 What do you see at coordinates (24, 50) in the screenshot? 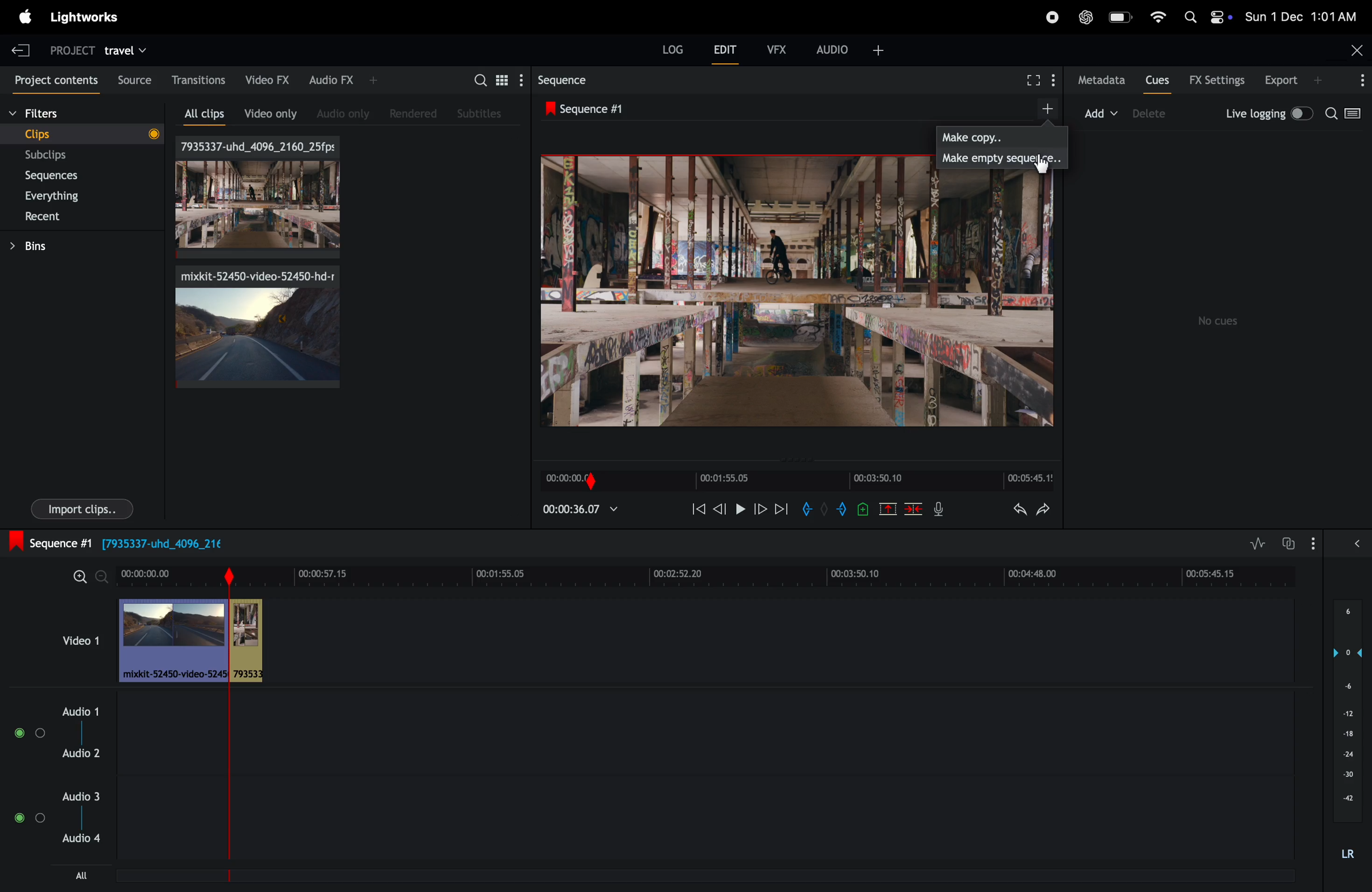
I see `exit` at bounding box center [24, 50].